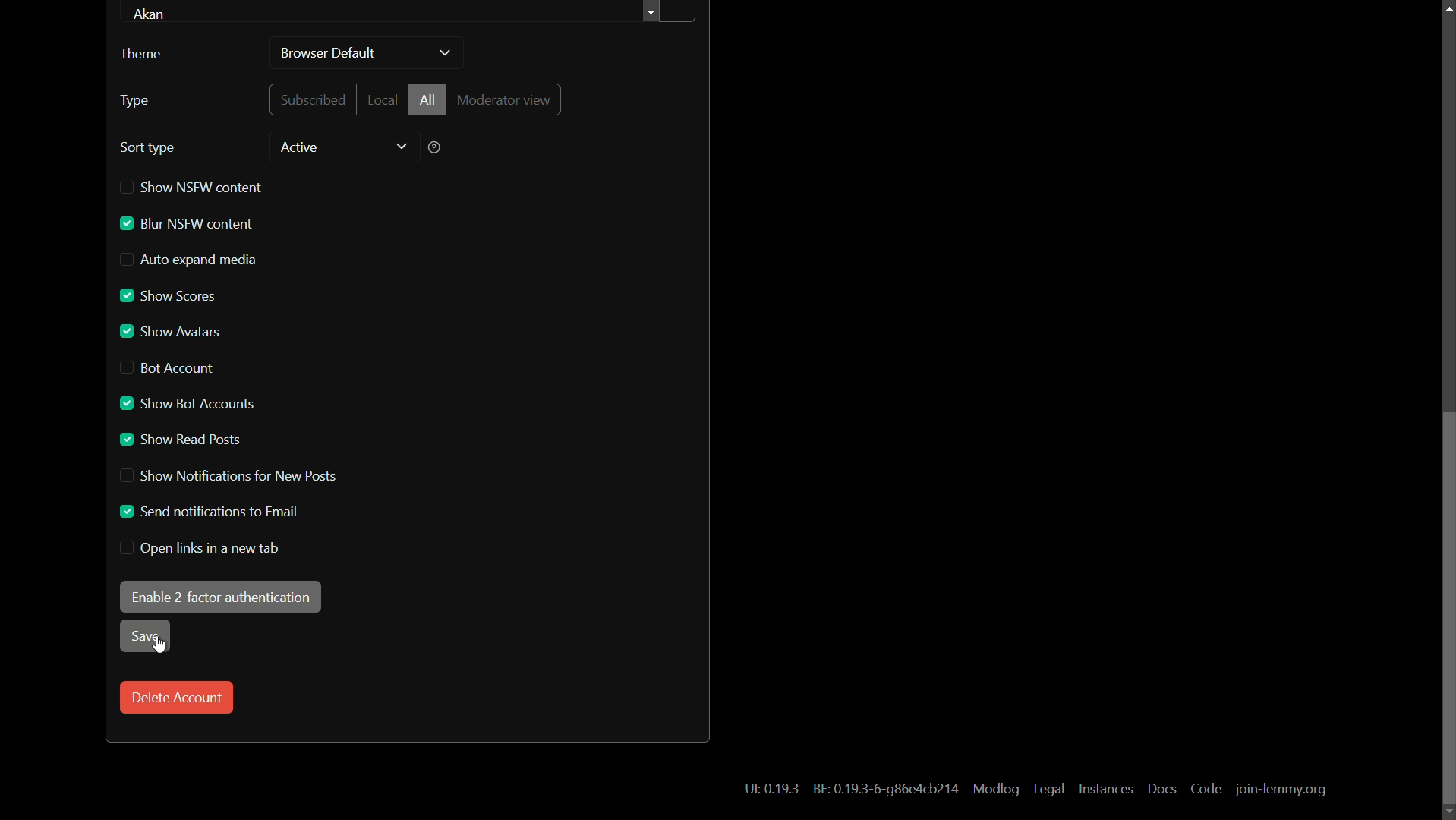  I want to click on dropdown, so click(401, 147).